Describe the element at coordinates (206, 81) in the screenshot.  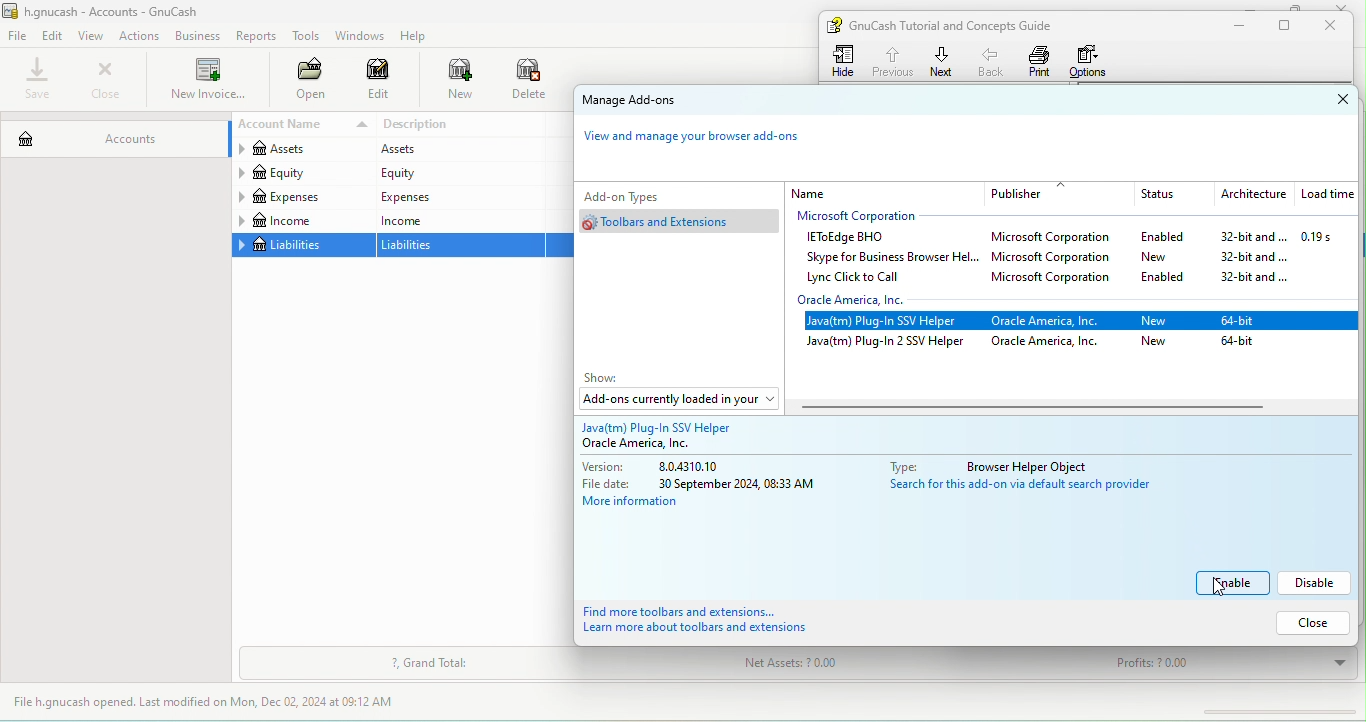
I see `new invoice` at that location.